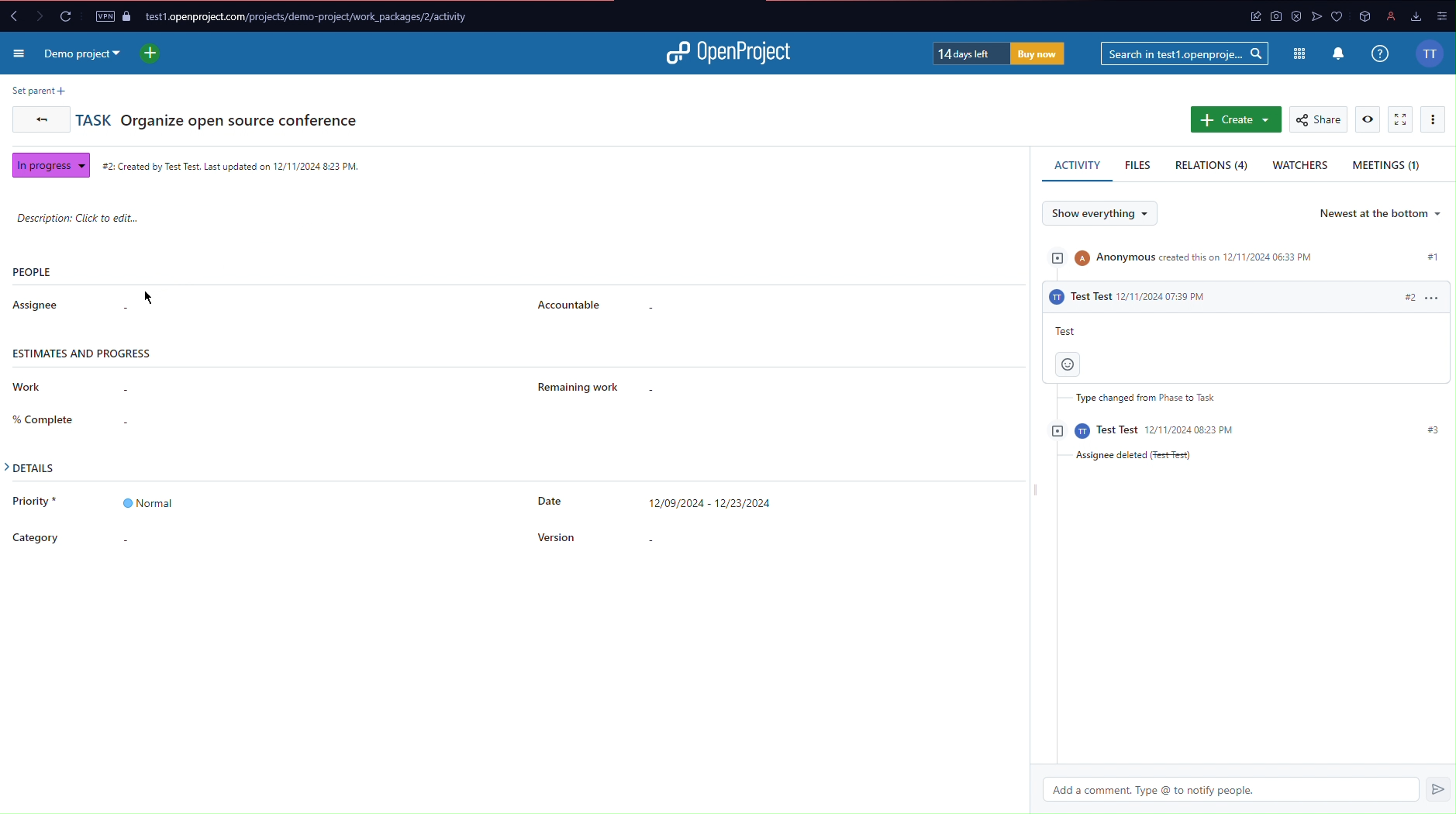  Describe the element at coordinates (1434, 259) in the screenshot. I see `#1` at that location.